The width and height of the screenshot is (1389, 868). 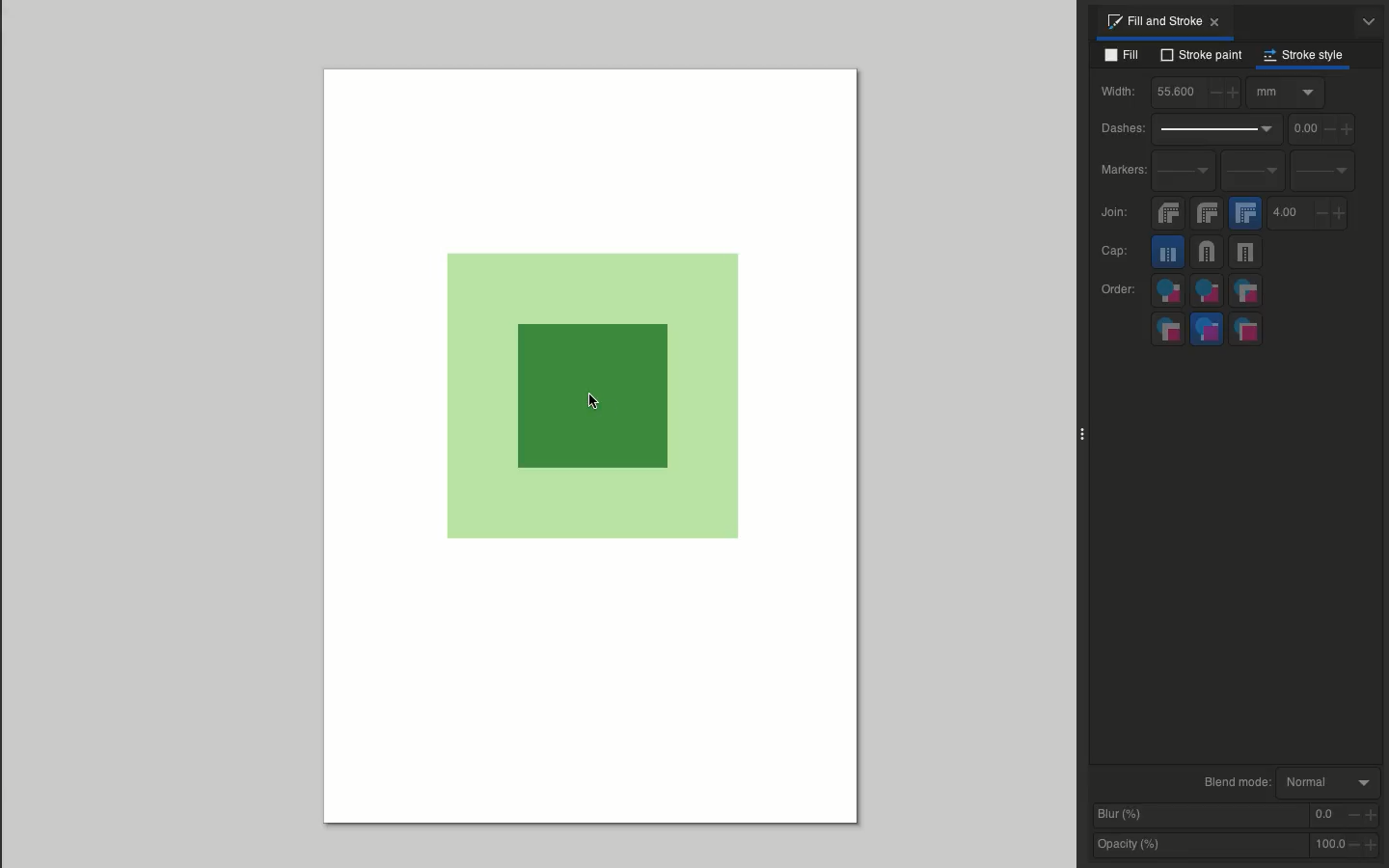 I want to click on Butt cap, so click(x=1170, y=250).